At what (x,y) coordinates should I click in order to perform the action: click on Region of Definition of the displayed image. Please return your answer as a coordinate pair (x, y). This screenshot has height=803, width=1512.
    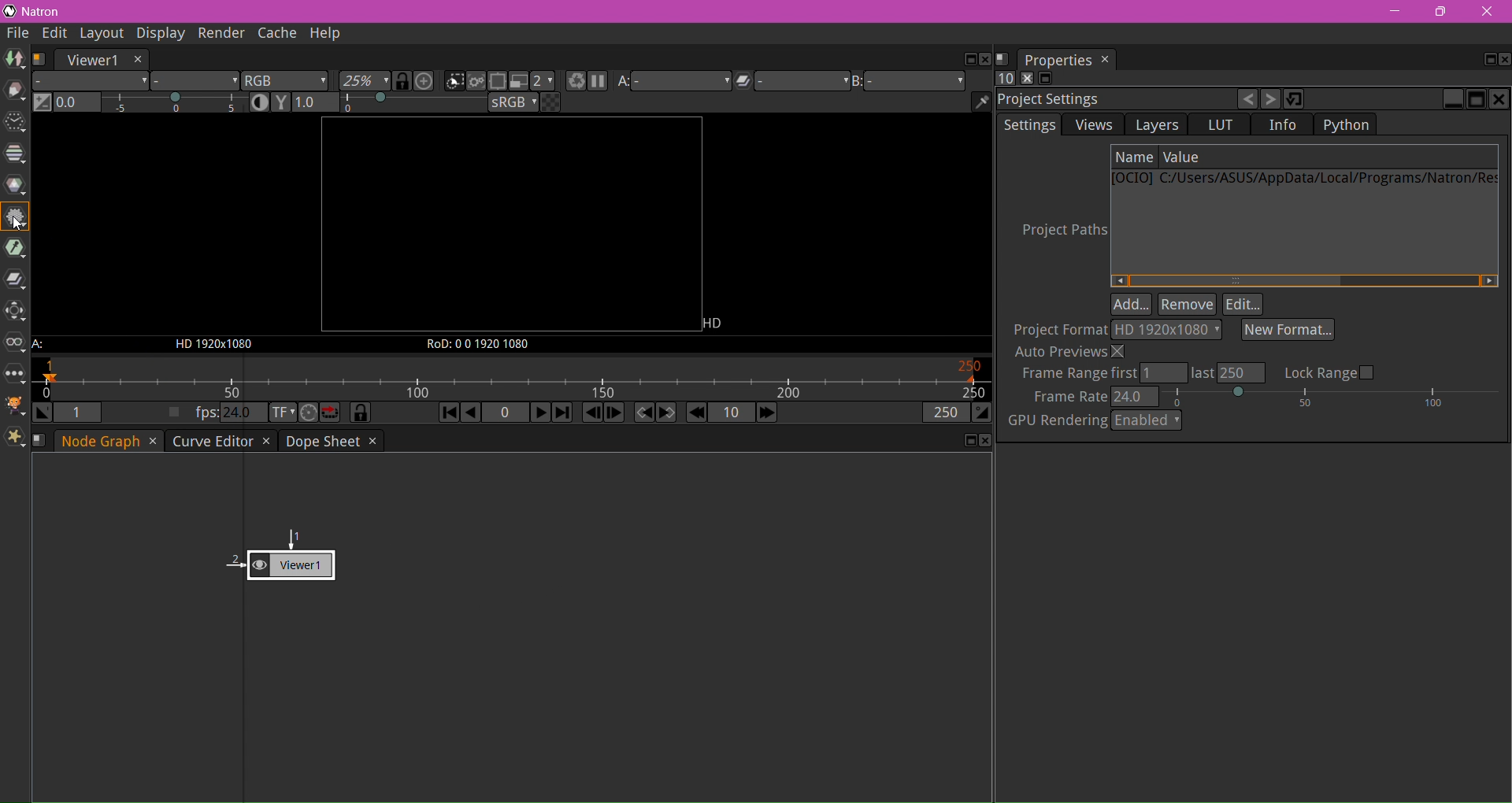
    Looking at the image, I should click on (486, 344).